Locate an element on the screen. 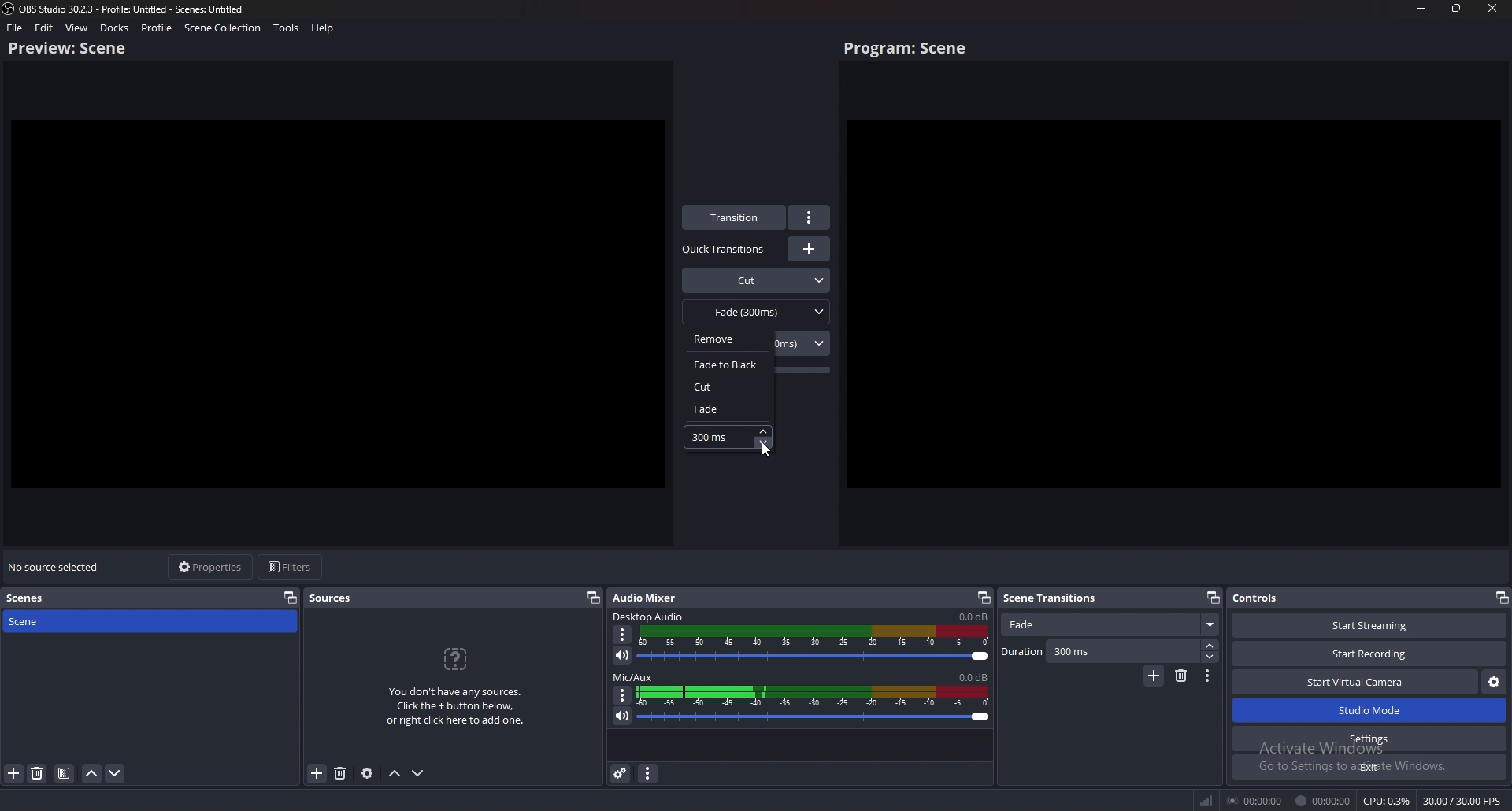  scene collection is located at coordinates (222, 28).